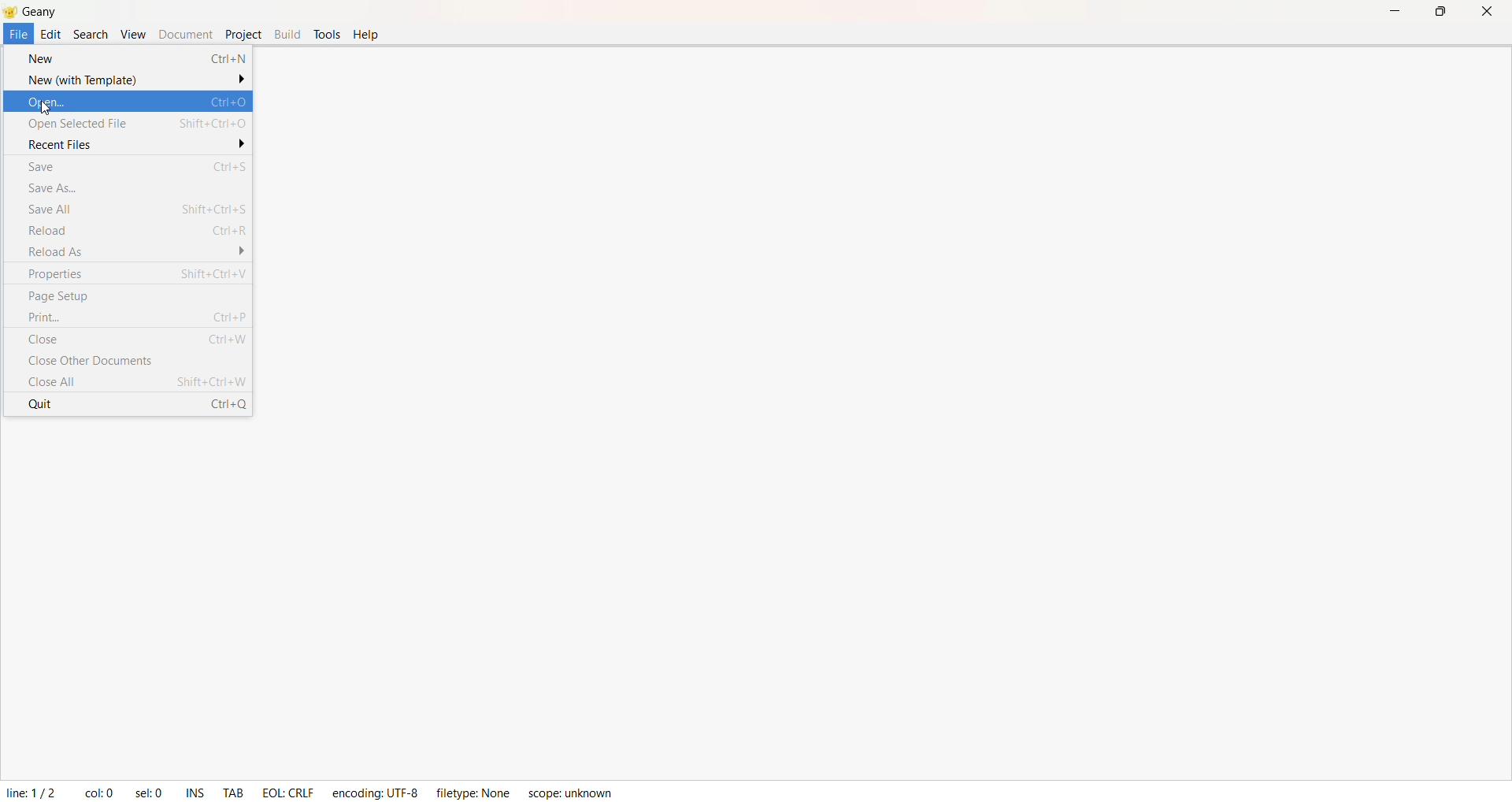 The height and width of the screenshot is (802, 1512). Describe the element at coordinates (139, 232) in the screenshot. I see `Reload` at that location.